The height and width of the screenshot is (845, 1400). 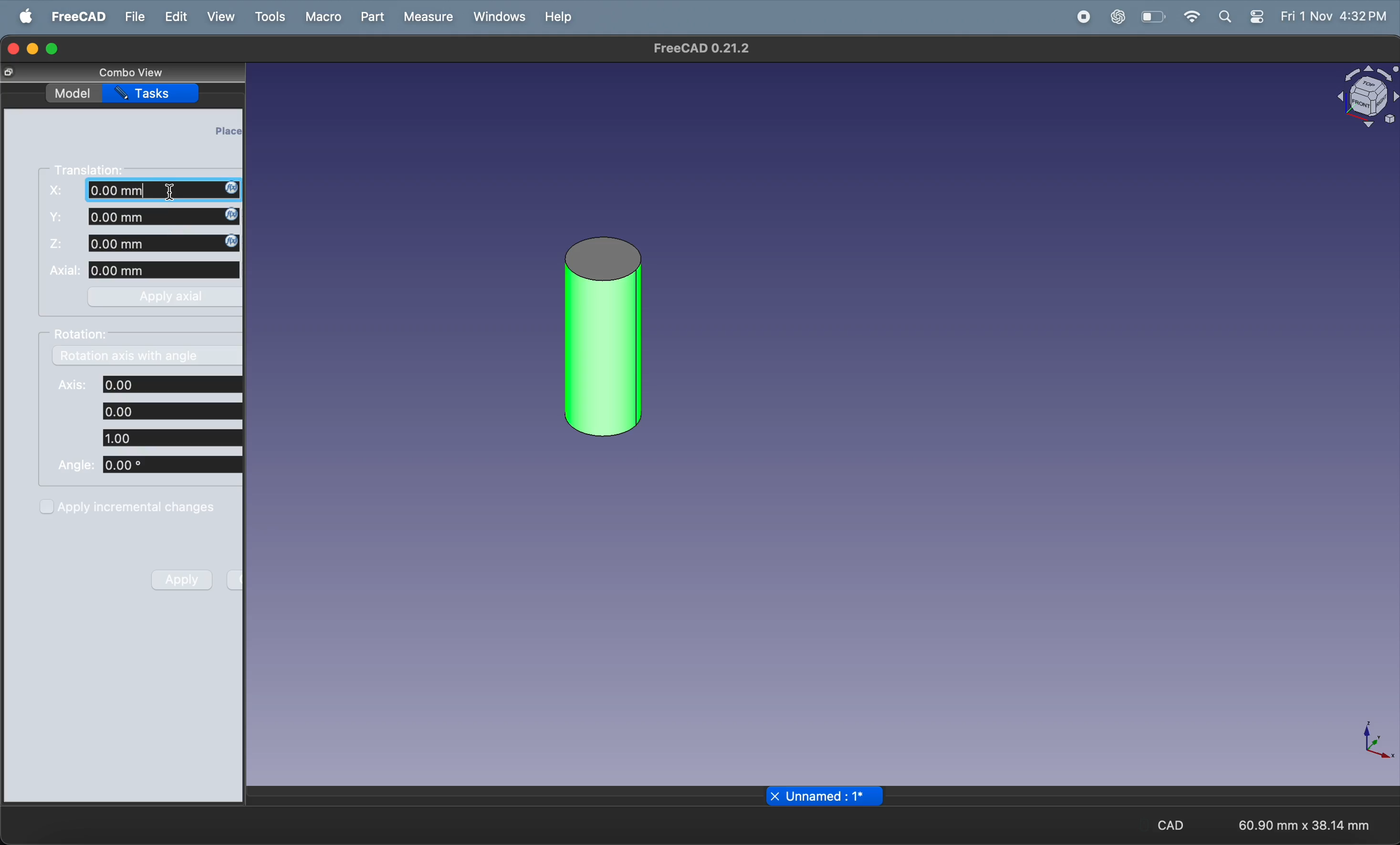 I want to click on rotation axis with angle, so click(x=149, y=355).